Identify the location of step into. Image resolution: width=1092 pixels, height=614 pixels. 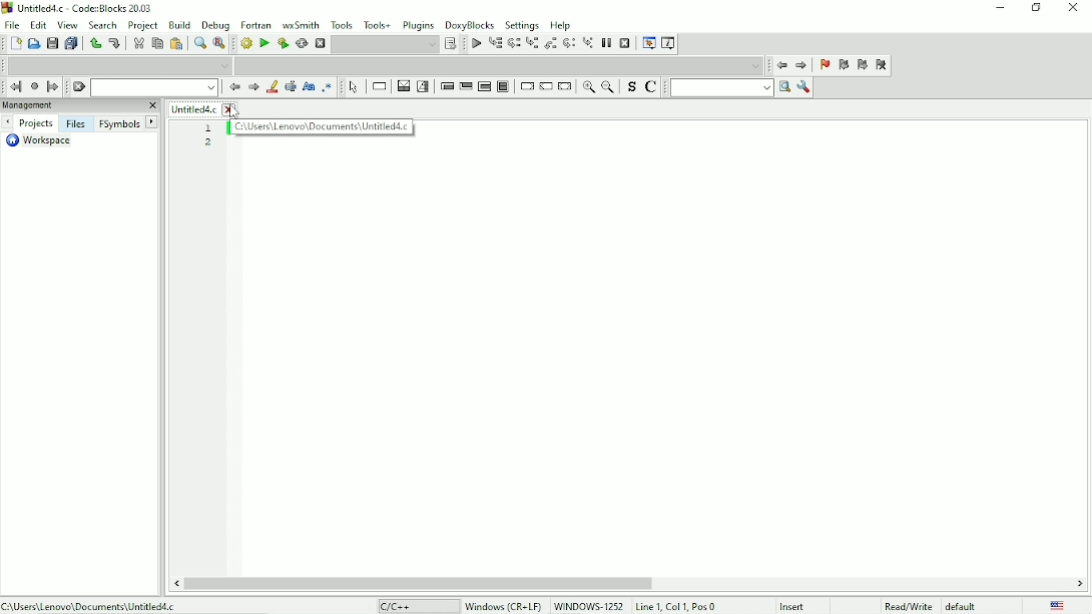
(531, 44).